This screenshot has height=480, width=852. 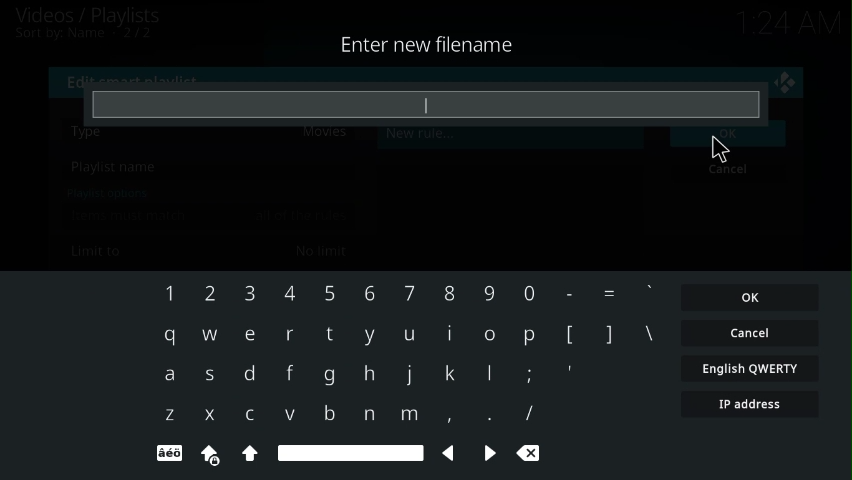 I want to click on t, so click(x=327, y=336).